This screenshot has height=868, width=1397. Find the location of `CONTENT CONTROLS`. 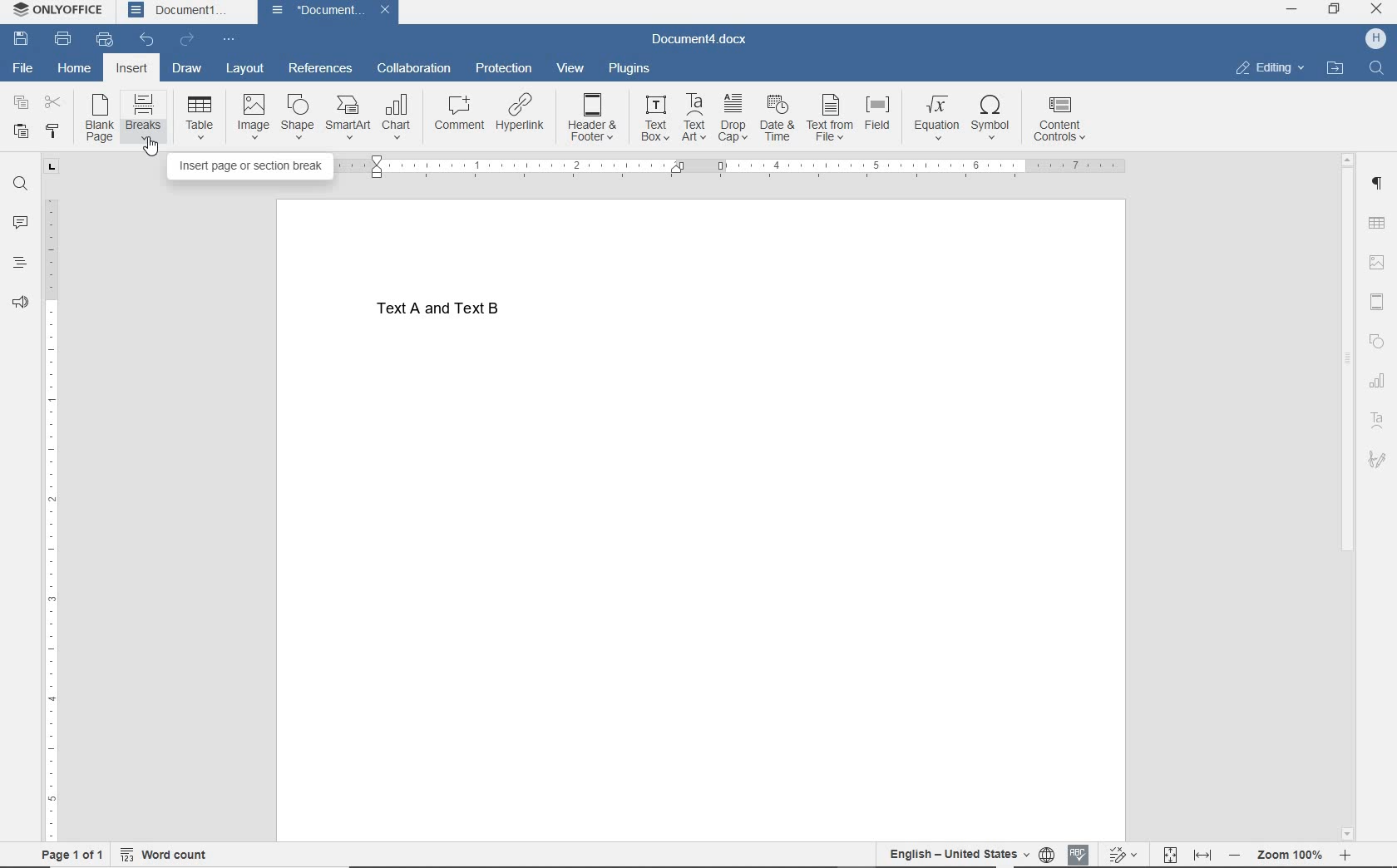

CONTENT CONTROLS is located at coordinates (1062, 117).